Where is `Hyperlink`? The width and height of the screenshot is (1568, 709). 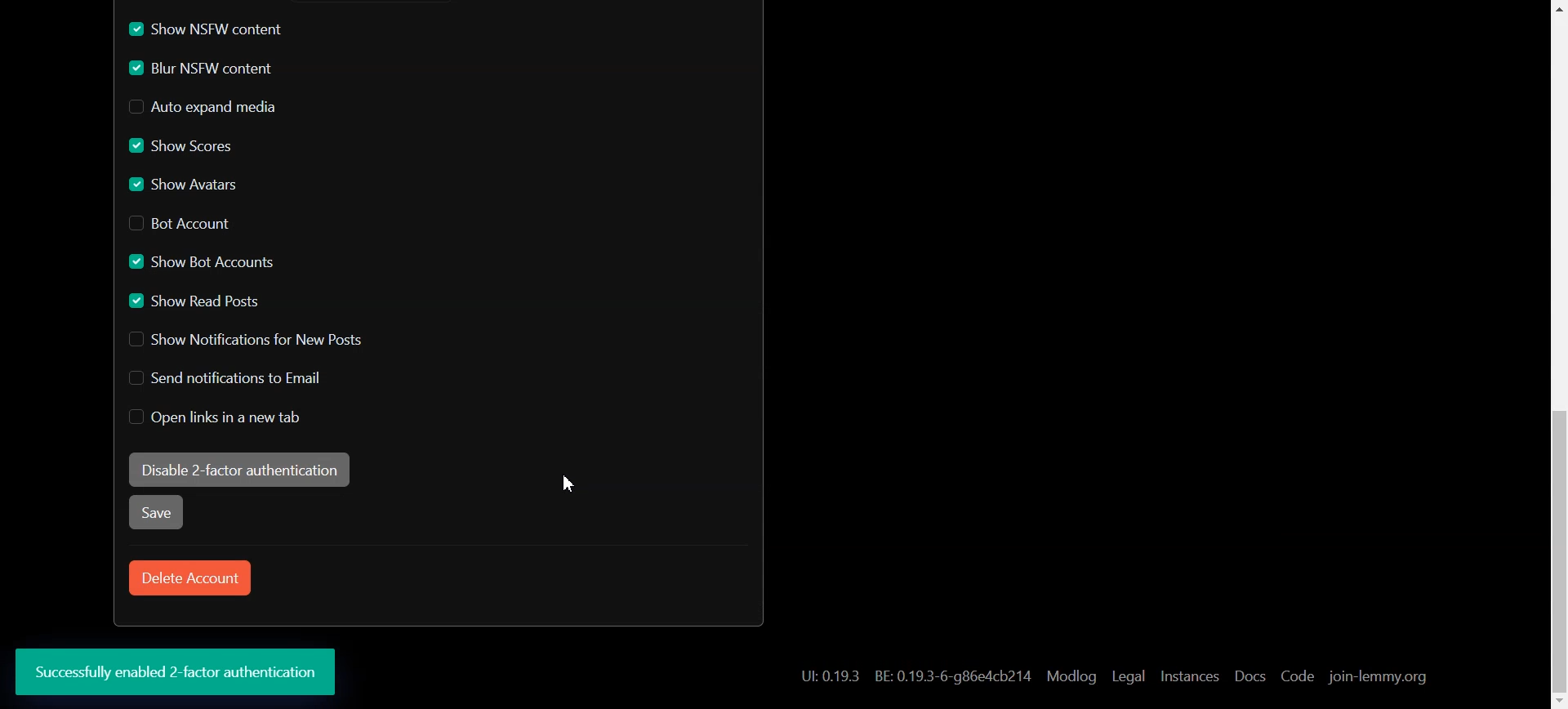 Hyperlink is located at coordinates (914, 674).